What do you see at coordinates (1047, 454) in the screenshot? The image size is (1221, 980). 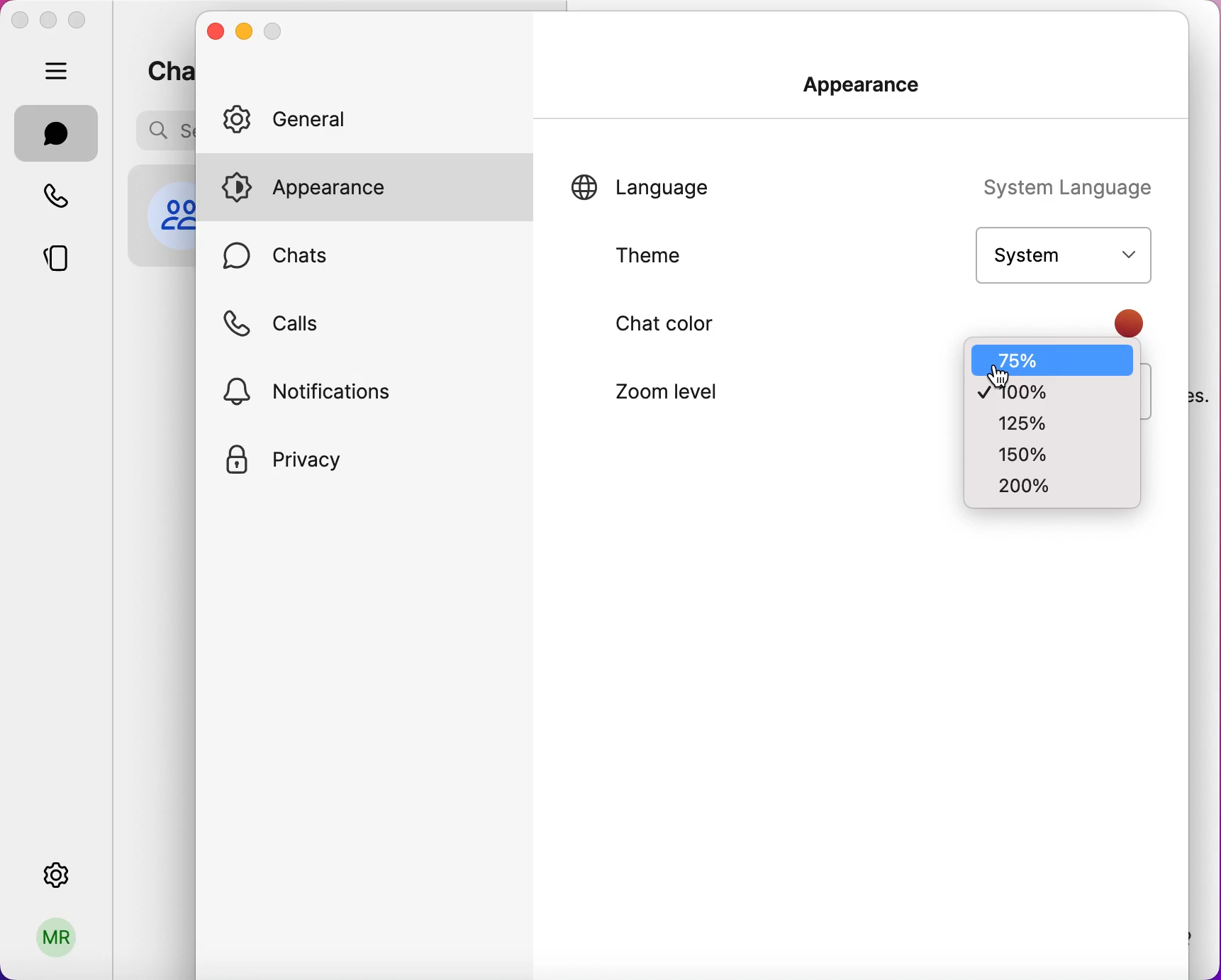 I see `150%` at bounding box center [1047, 454].